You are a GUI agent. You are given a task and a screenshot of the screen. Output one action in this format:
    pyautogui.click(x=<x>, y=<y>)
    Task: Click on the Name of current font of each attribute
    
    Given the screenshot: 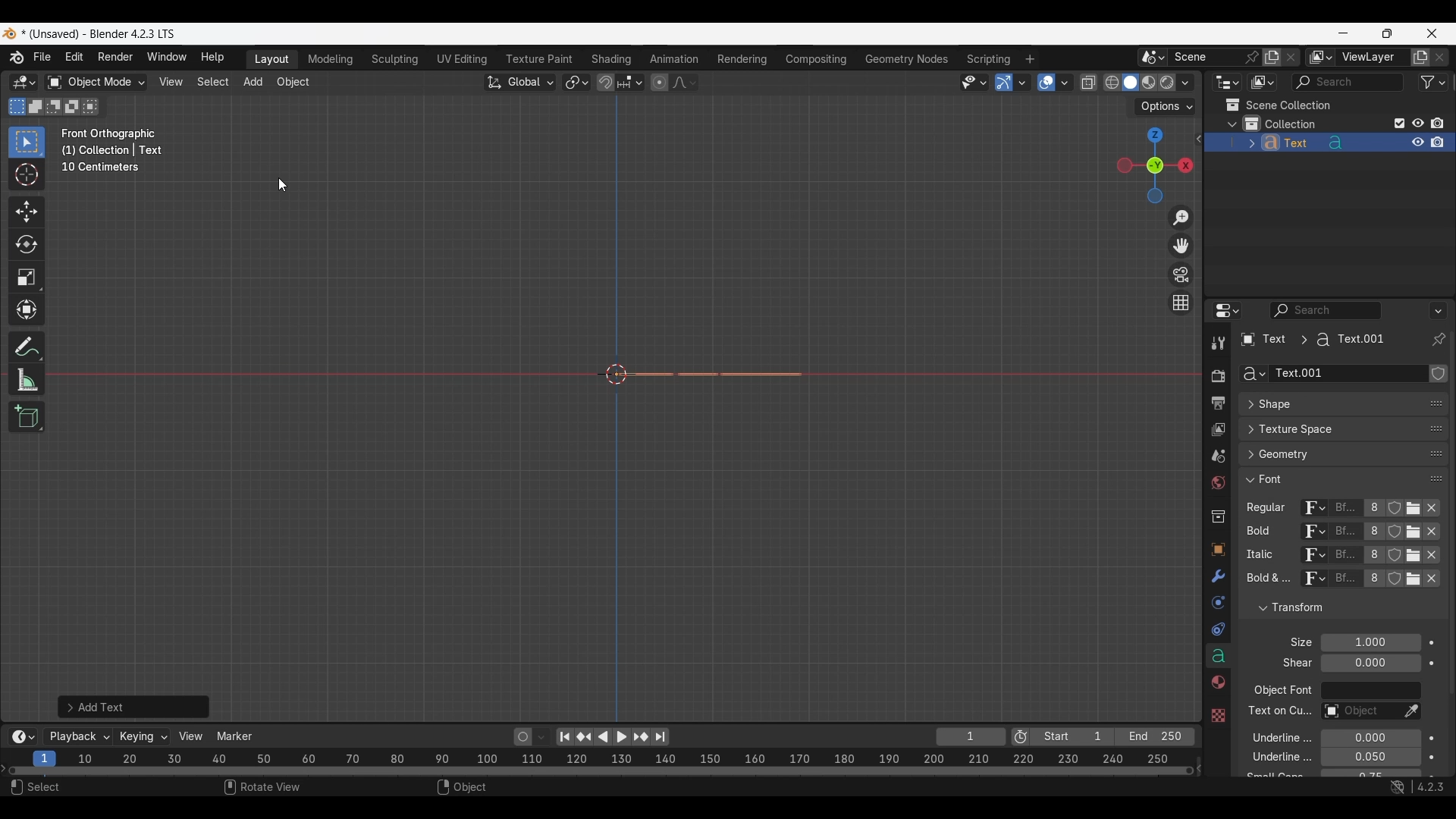 What is the action you would take?
    pyautogui.click(x=1346, y=544)
    